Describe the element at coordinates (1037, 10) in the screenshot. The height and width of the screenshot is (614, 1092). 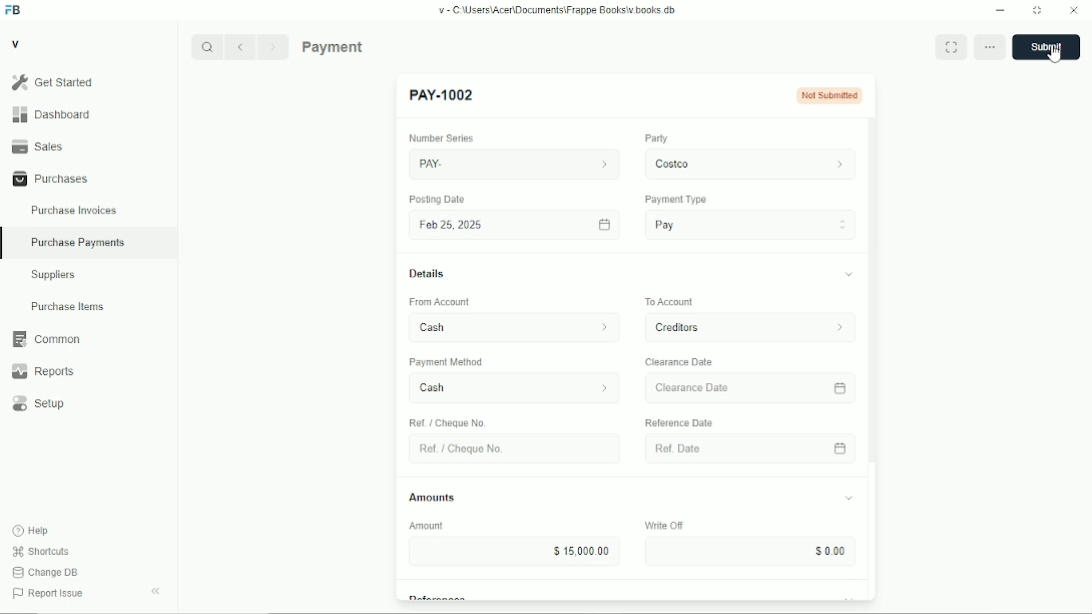
I see `Change dimension` at that location.